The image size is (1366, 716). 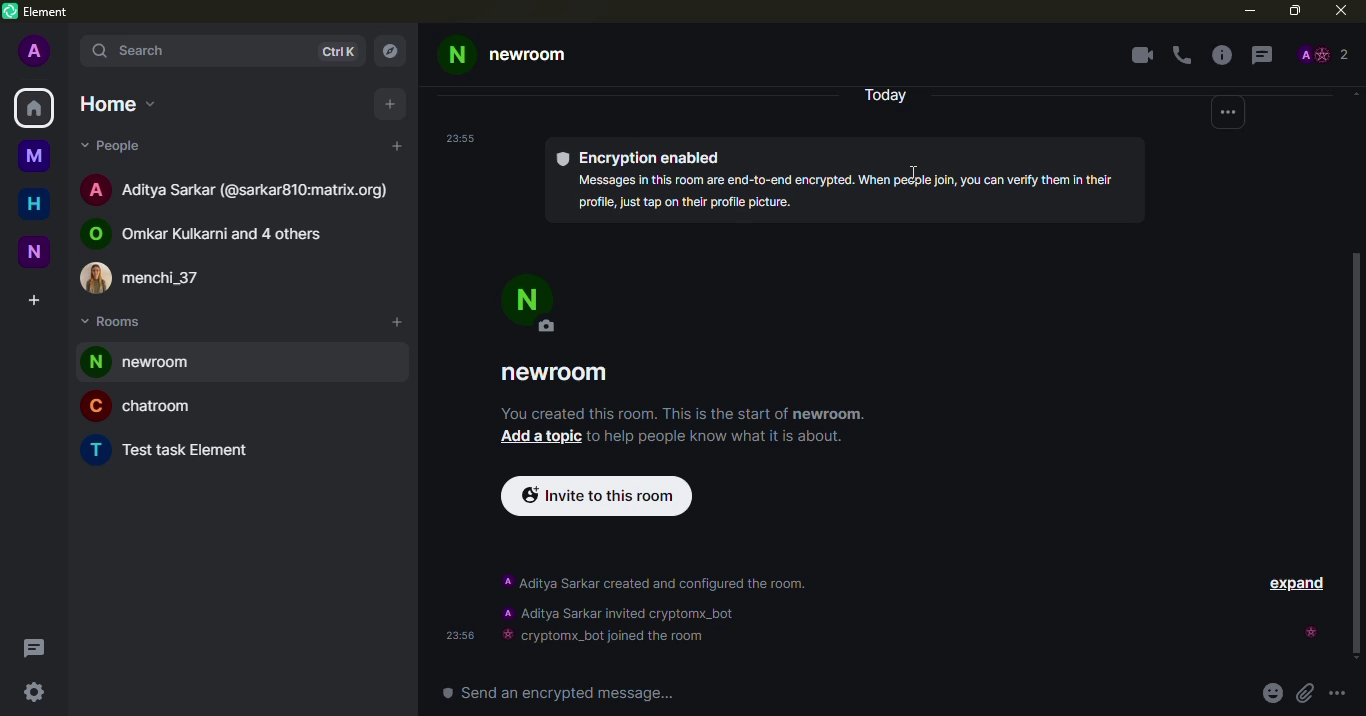 What do you see at coordinates (207, 234) in the screenshot?
I see `Omkar Kulkarni and 4 others` at bounding box center [207, 234].